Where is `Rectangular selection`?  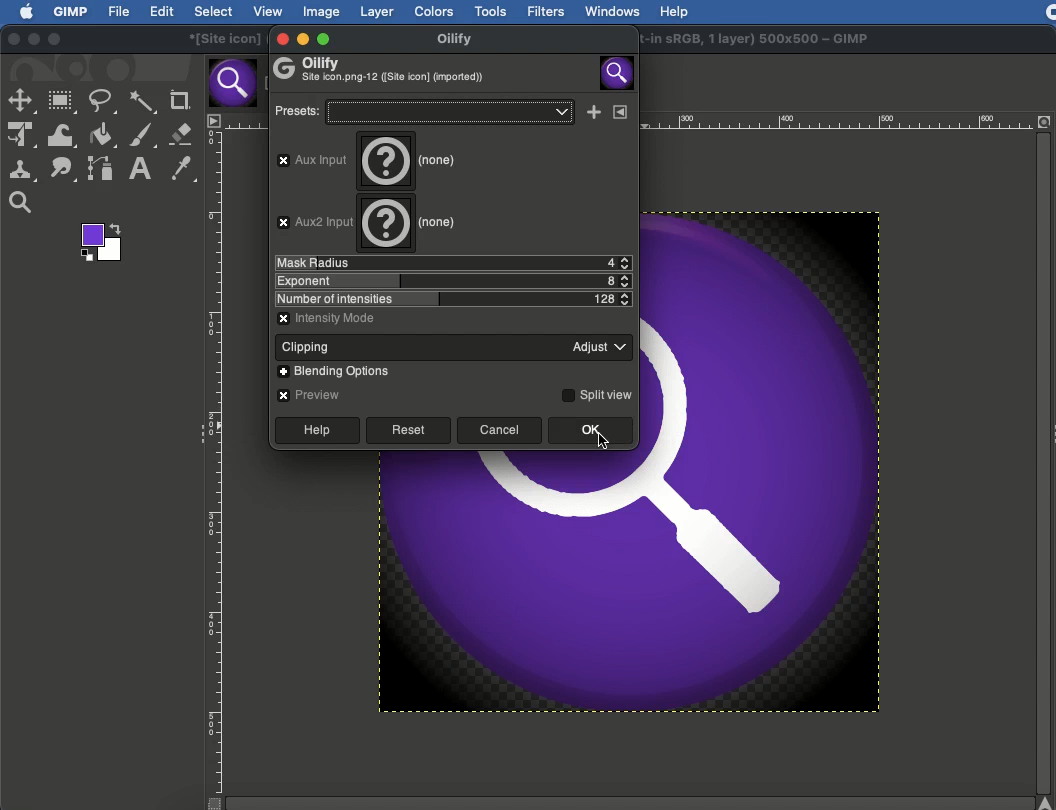 Rectangular selection is located at coordinates (62, 102).